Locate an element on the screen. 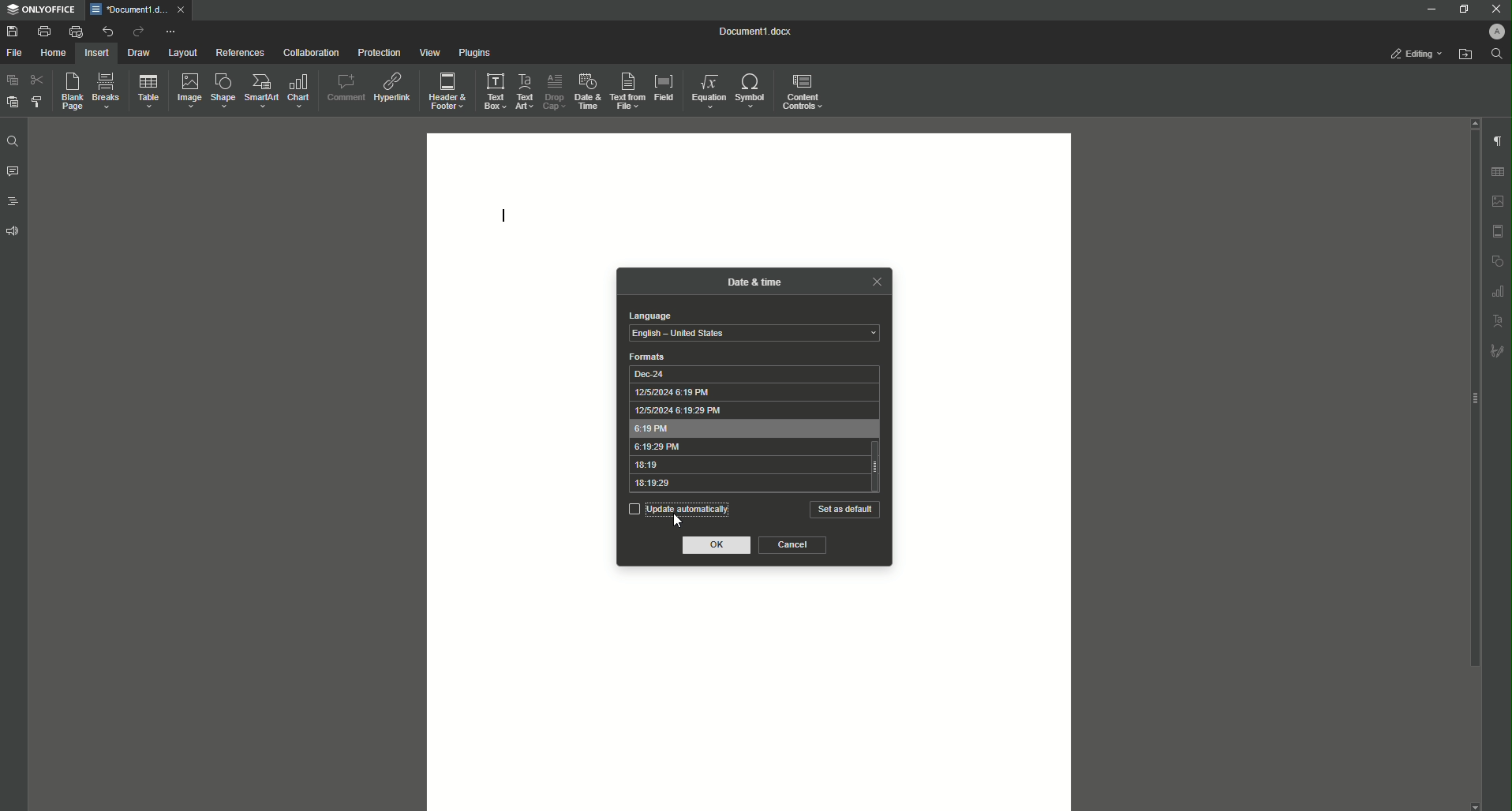 Image resolution: width=1512 pixels, height=811 pixels. ONLYOFFICE is located at coordinates (40, 10).